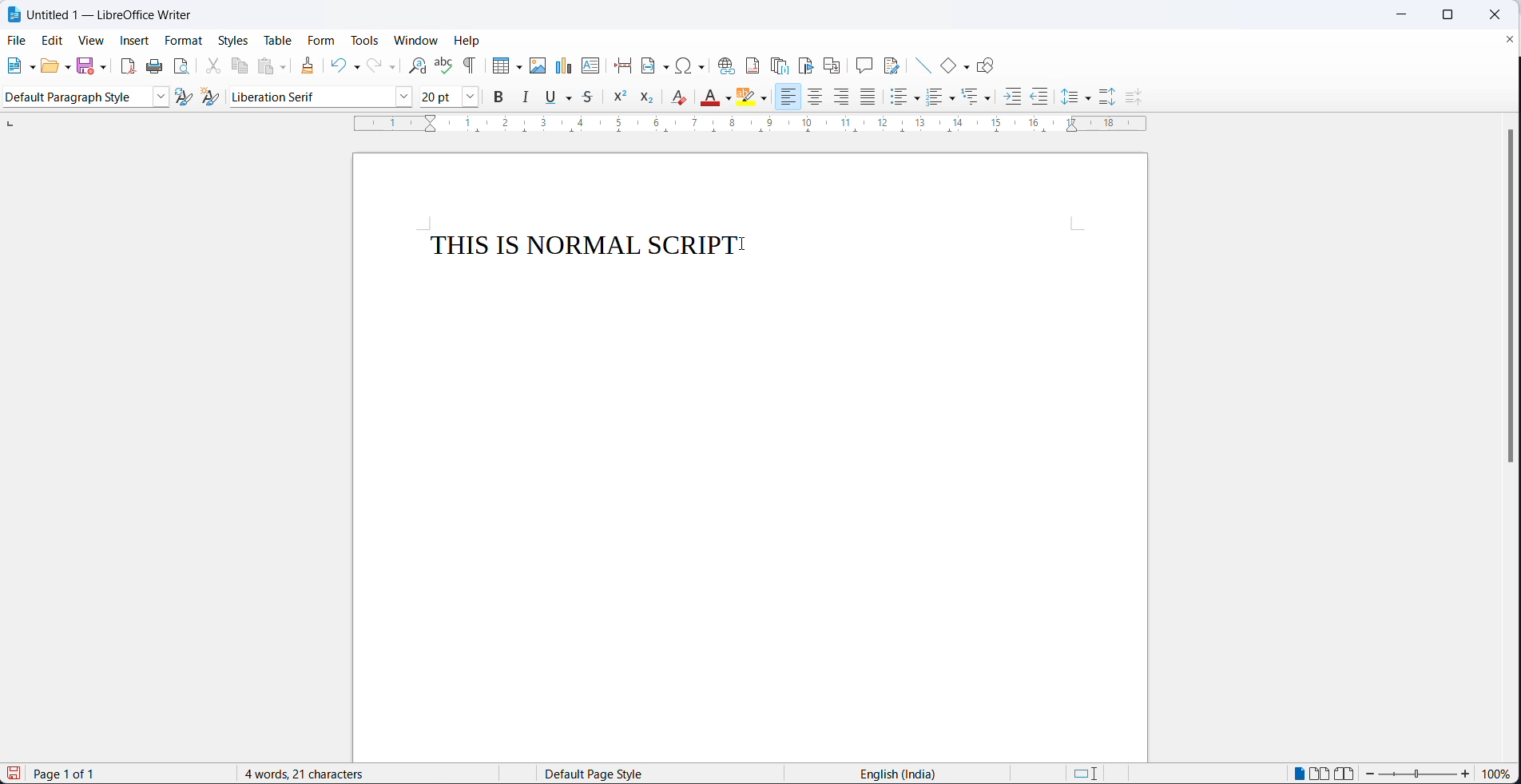  I want to click on save options, so click(103, 67).